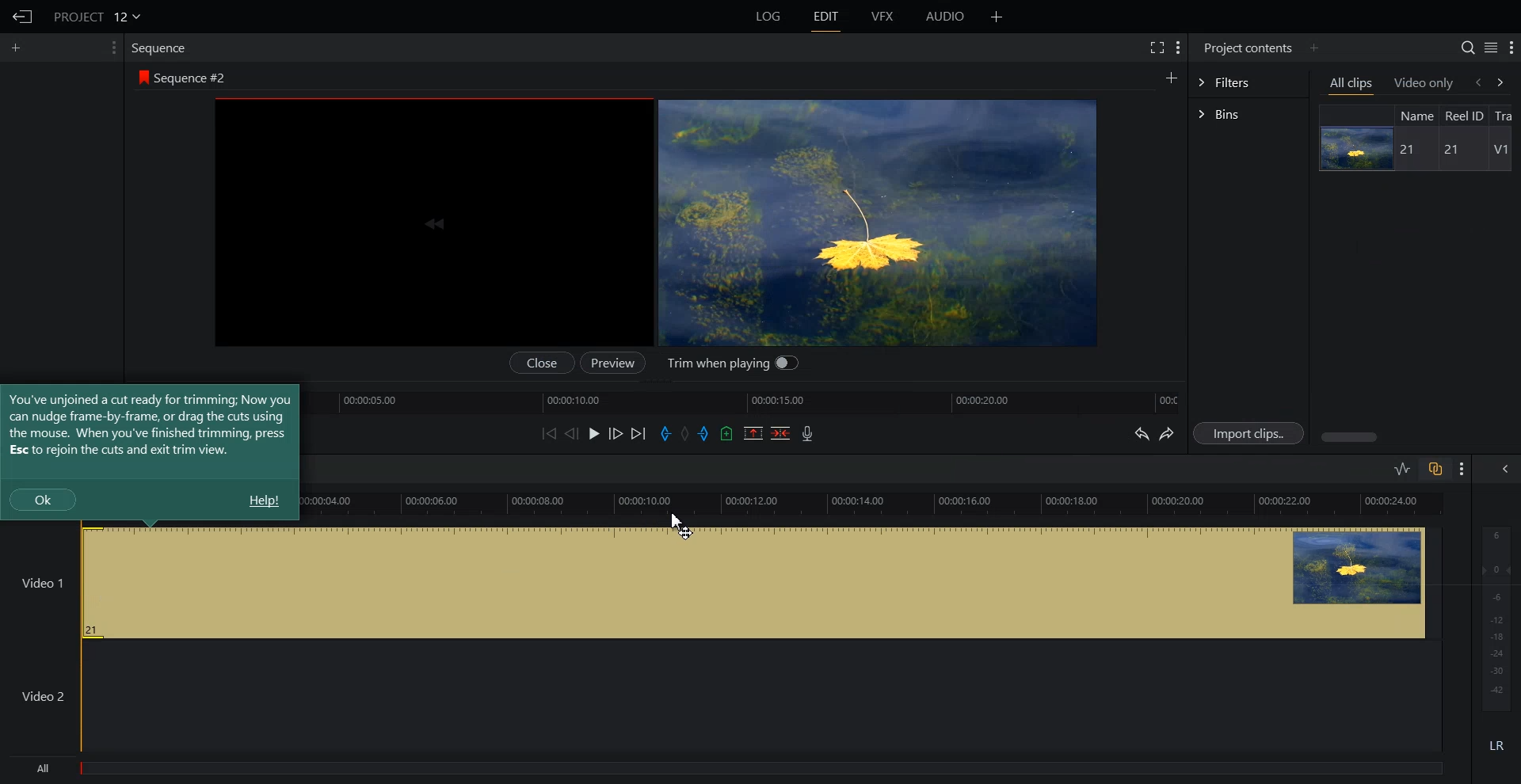 Image resolution: width=1521 pixels, height=784 pixels. Describe the element at coordinates (808, 433) in the screenshot. I see `Record Audio` at that location.